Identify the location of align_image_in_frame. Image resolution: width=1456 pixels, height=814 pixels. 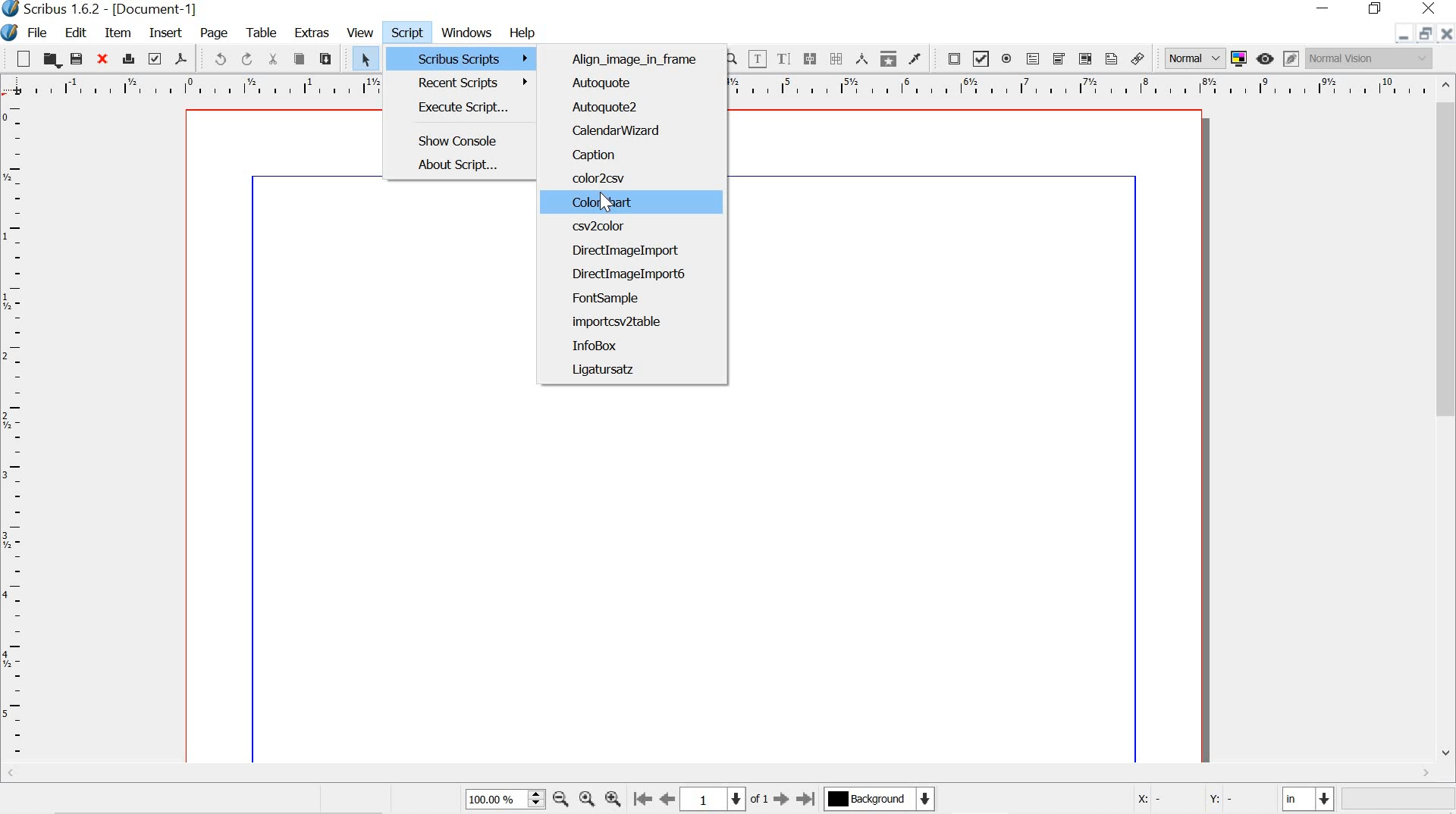
(640, 61).